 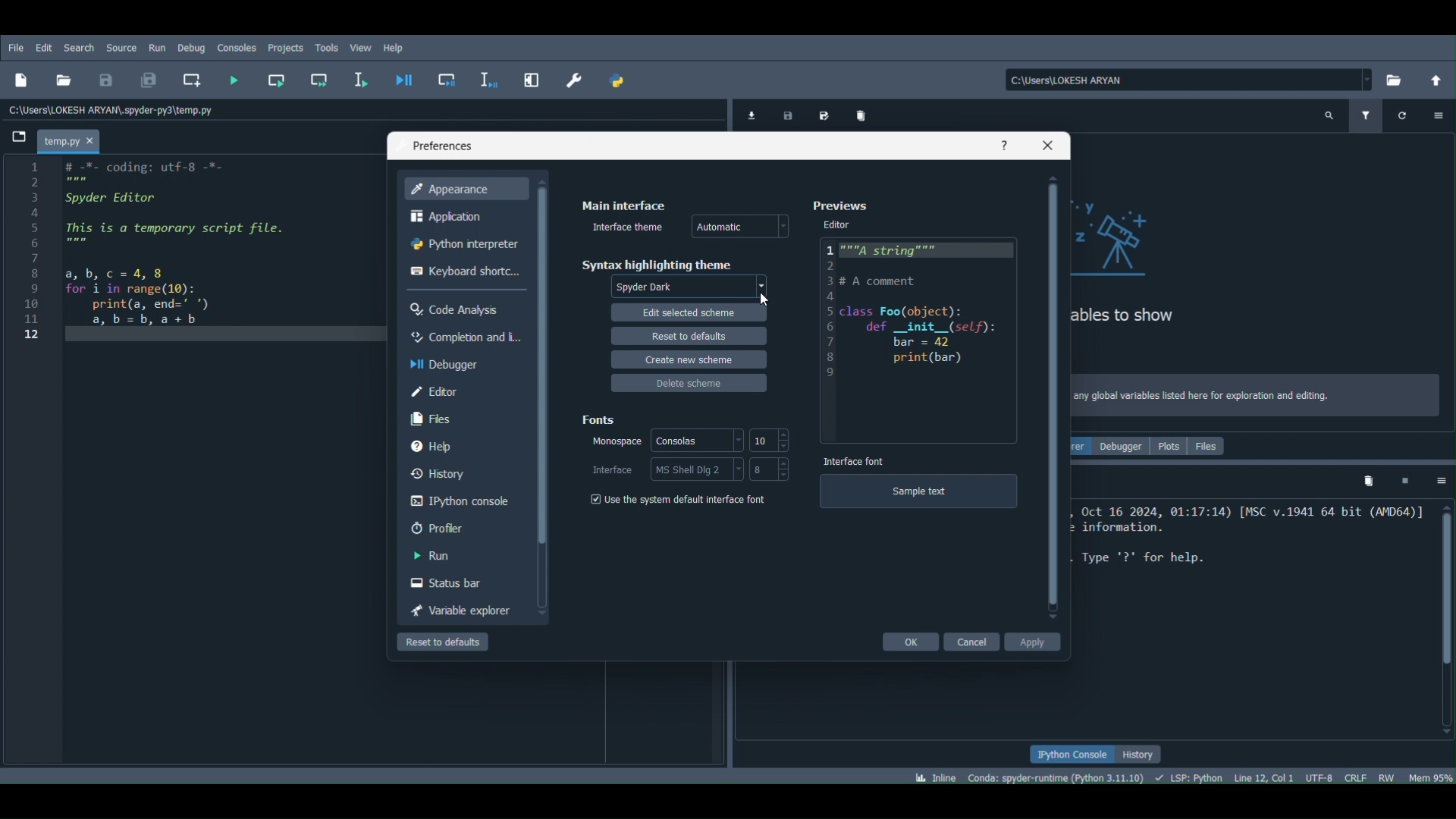 I want to click on Interface theme, so click(x=624, y=227).